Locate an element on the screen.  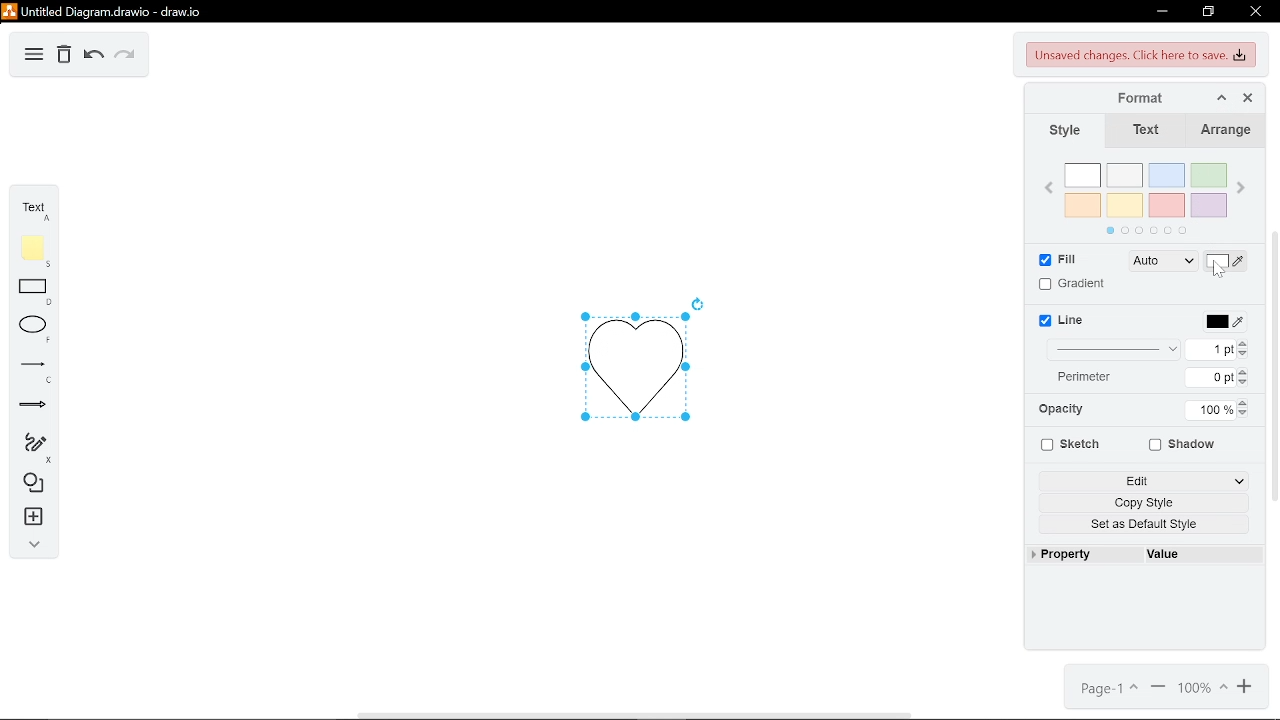
arrange is located at coordinates (1226, 132).